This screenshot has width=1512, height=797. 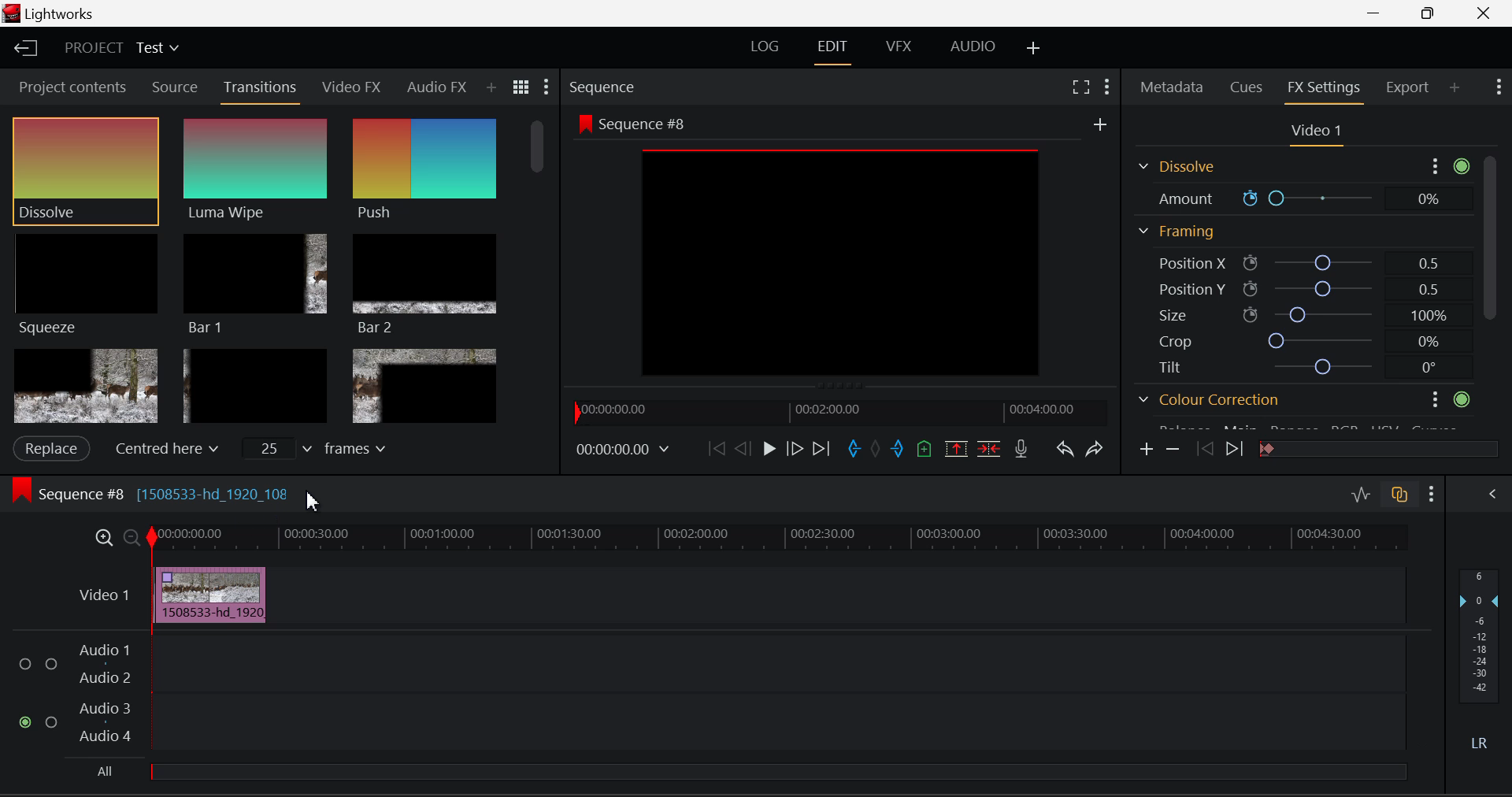 What do you see at coordinates (1204, 450) in the screenshot?
I see `Previous keyframe` at bounding box center [1204, 450].